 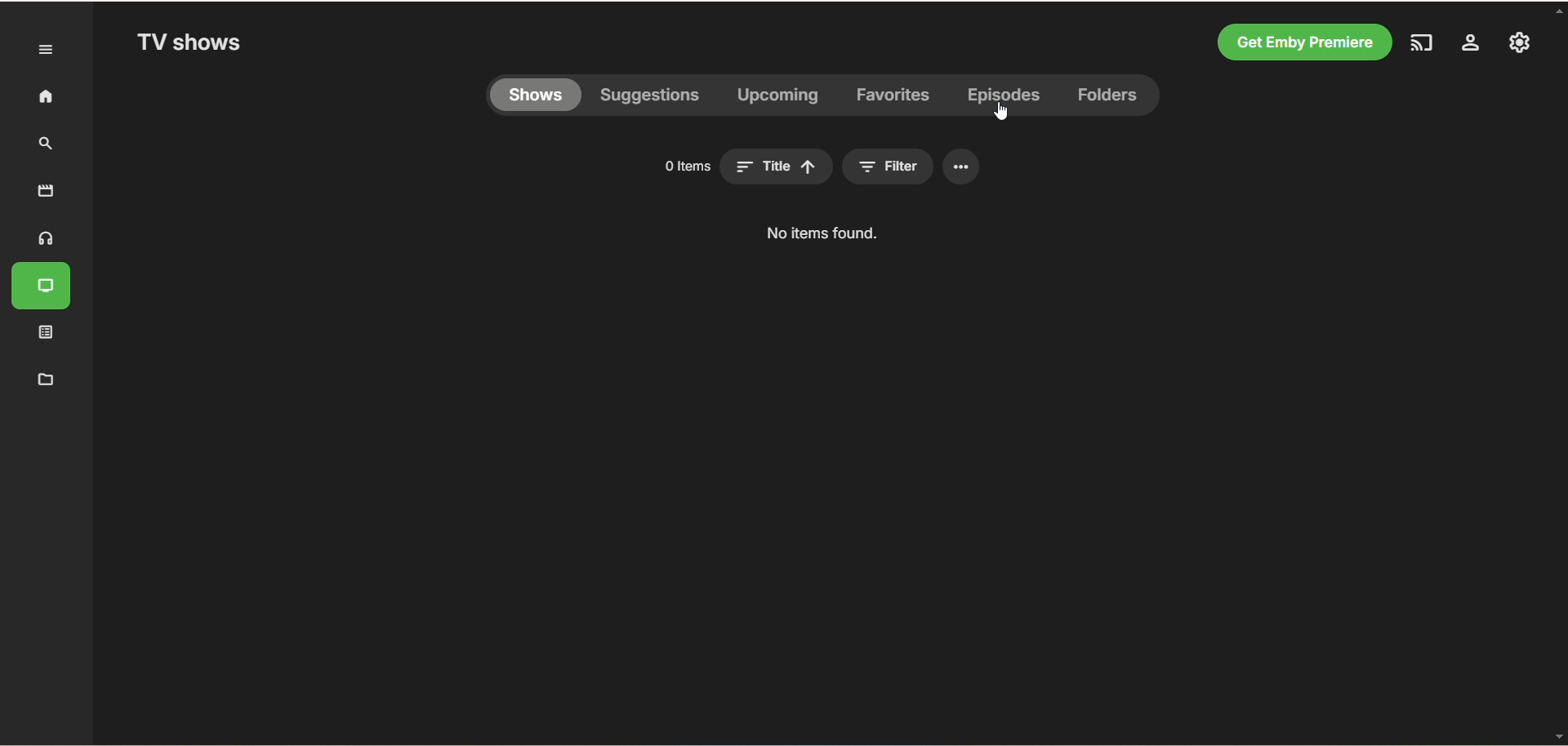 What do you see at coordinates (1558, 375) in the screenshot?
I see `vertical scroll bar` at bounding box center [1558, 375].